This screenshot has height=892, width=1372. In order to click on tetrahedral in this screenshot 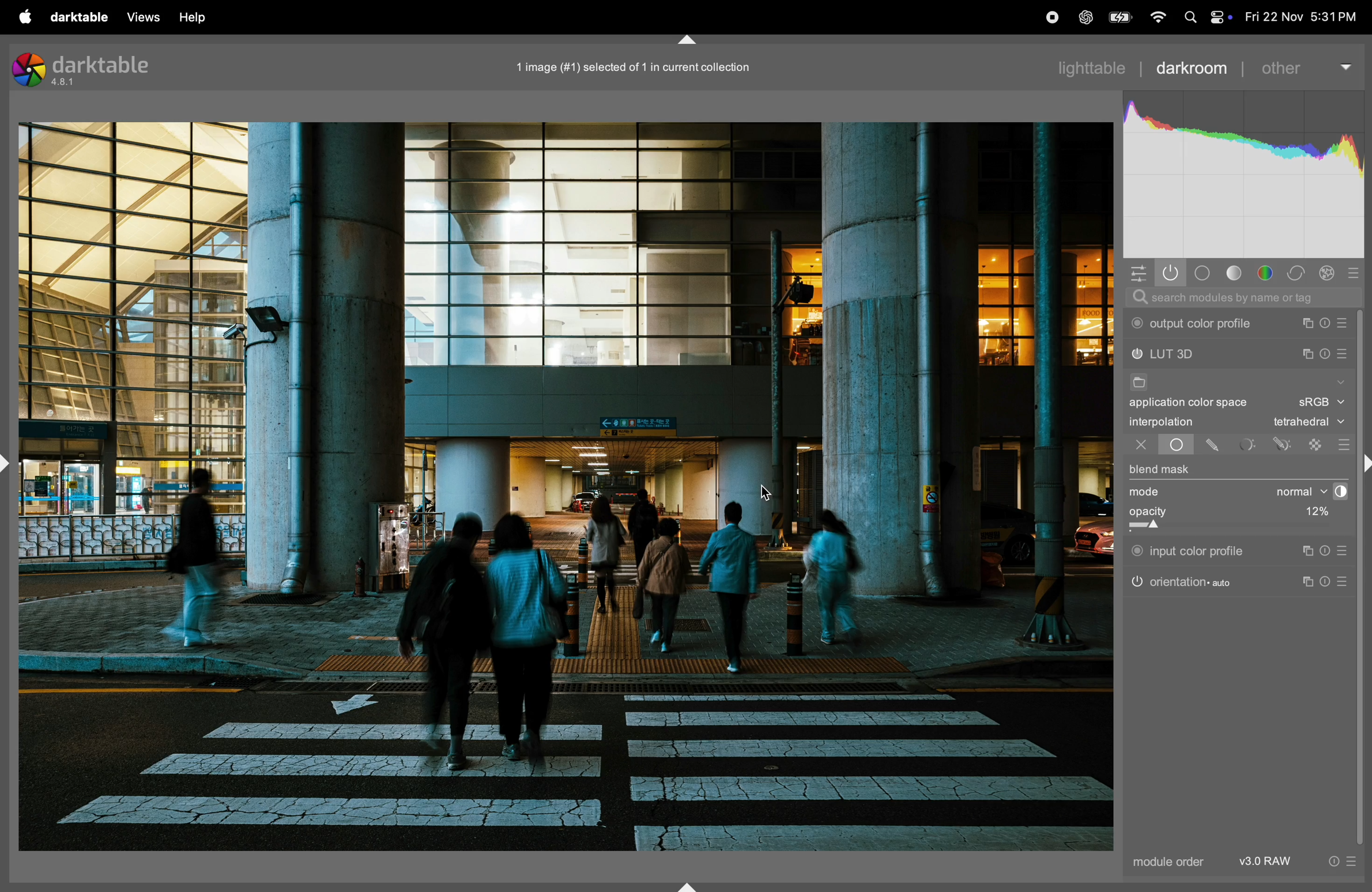, I will do `click(1309, 423)`.